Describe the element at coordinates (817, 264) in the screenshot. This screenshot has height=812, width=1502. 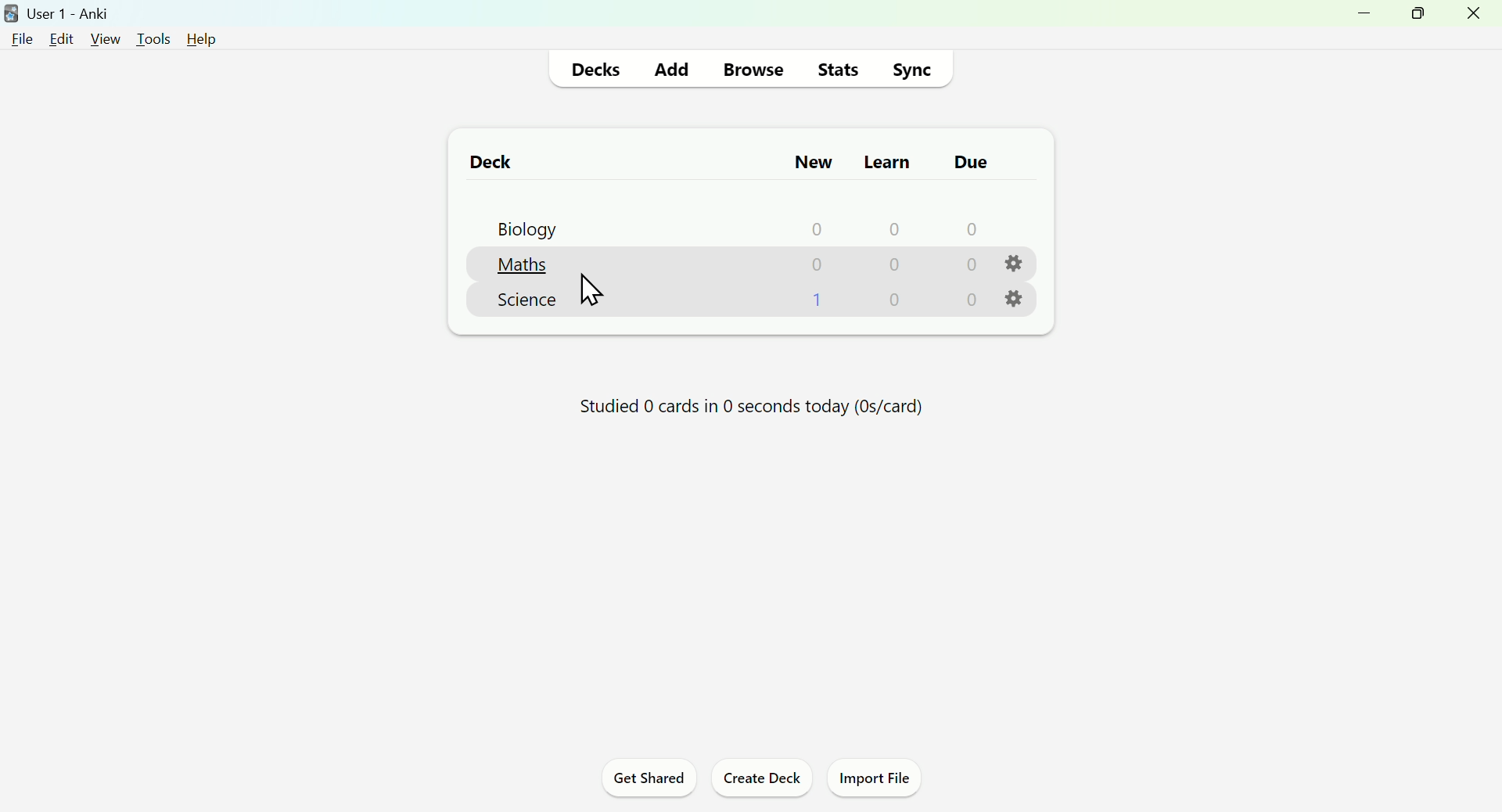
I see `0` at that location.